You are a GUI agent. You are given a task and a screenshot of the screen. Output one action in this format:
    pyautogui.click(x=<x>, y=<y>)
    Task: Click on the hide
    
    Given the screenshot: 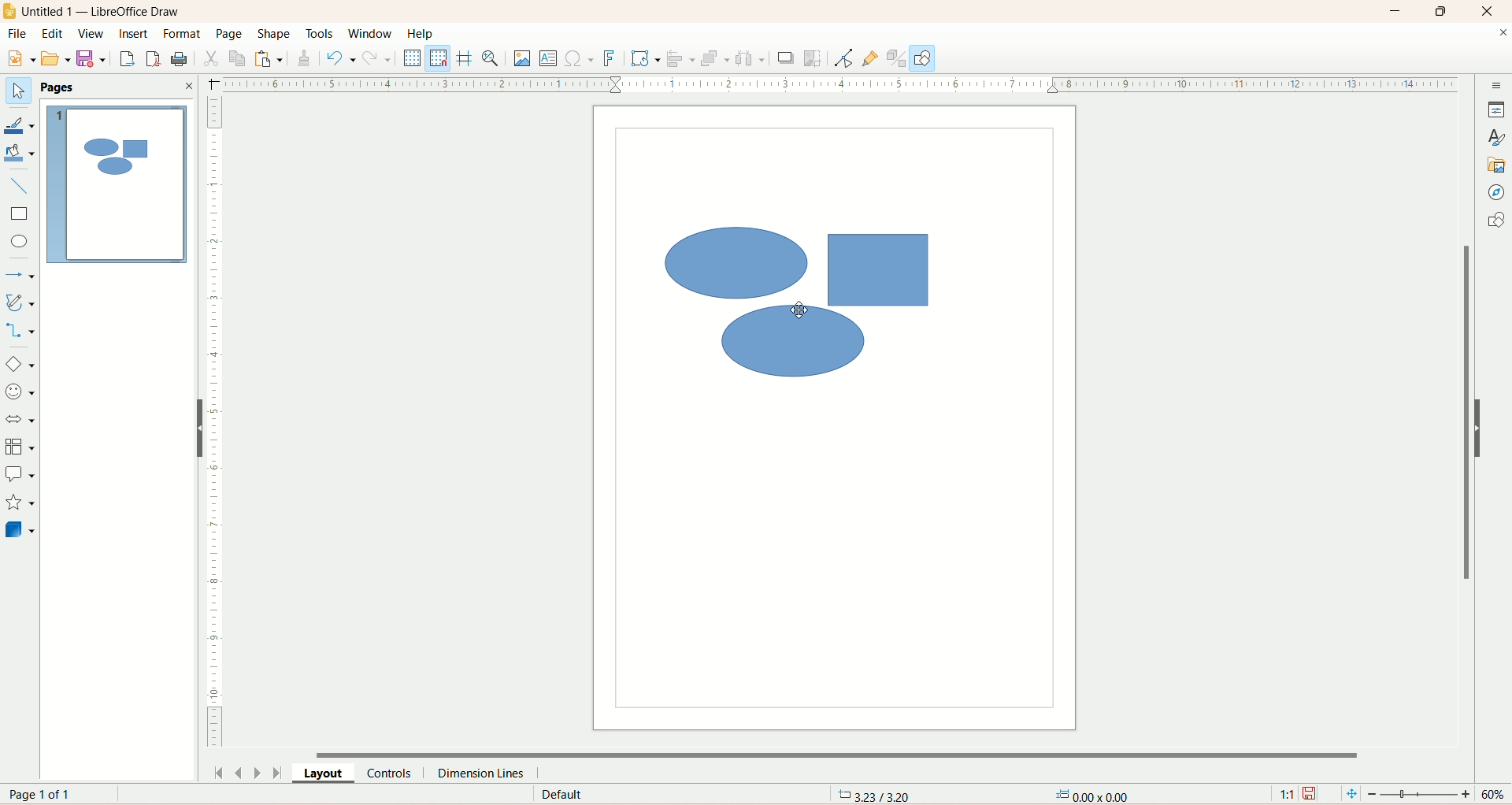 What is the action you would take?
    pyautogui.click(x=1478, y=428)
    